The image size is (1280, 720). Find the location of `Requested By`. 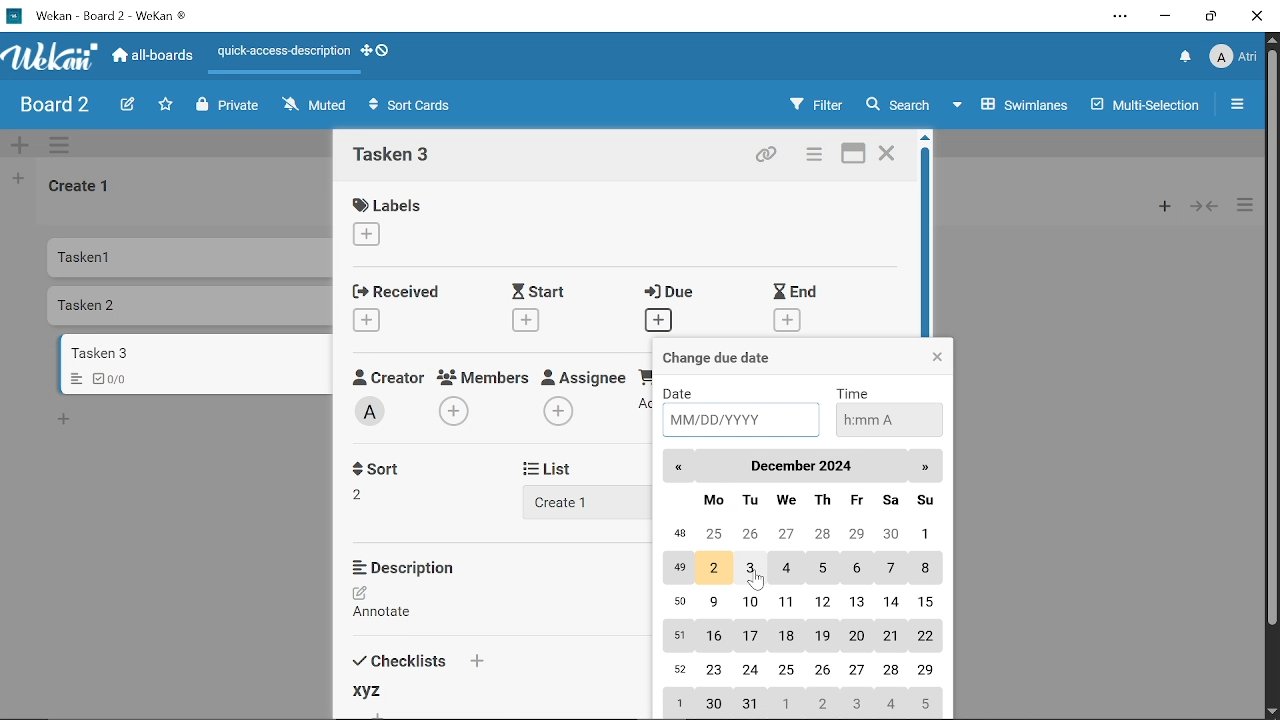

Requested By is located at coordinates (645, 375).